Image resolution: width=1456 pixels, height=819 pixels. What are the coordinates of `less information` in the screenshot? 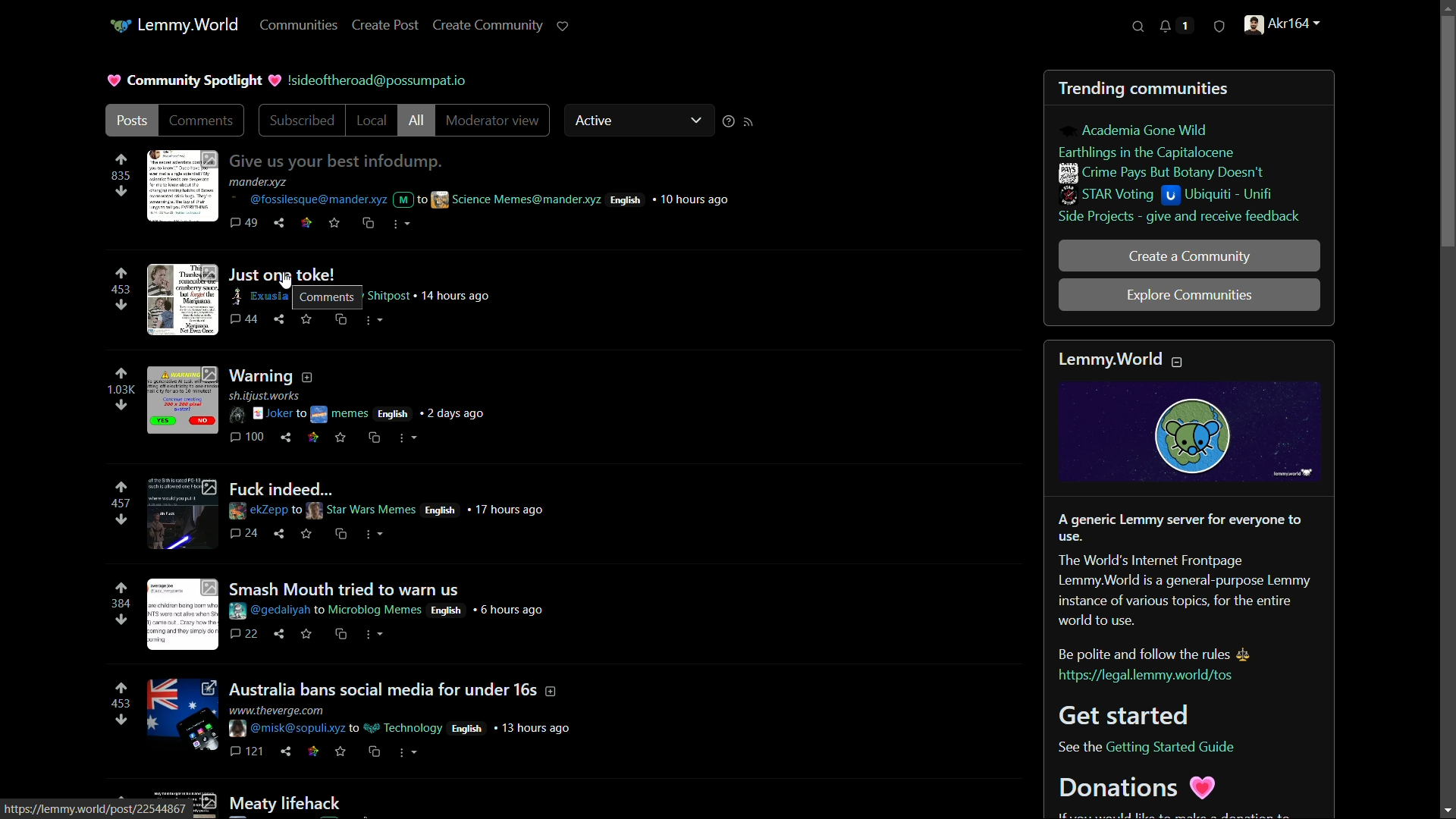 It's located at (1180, 361).